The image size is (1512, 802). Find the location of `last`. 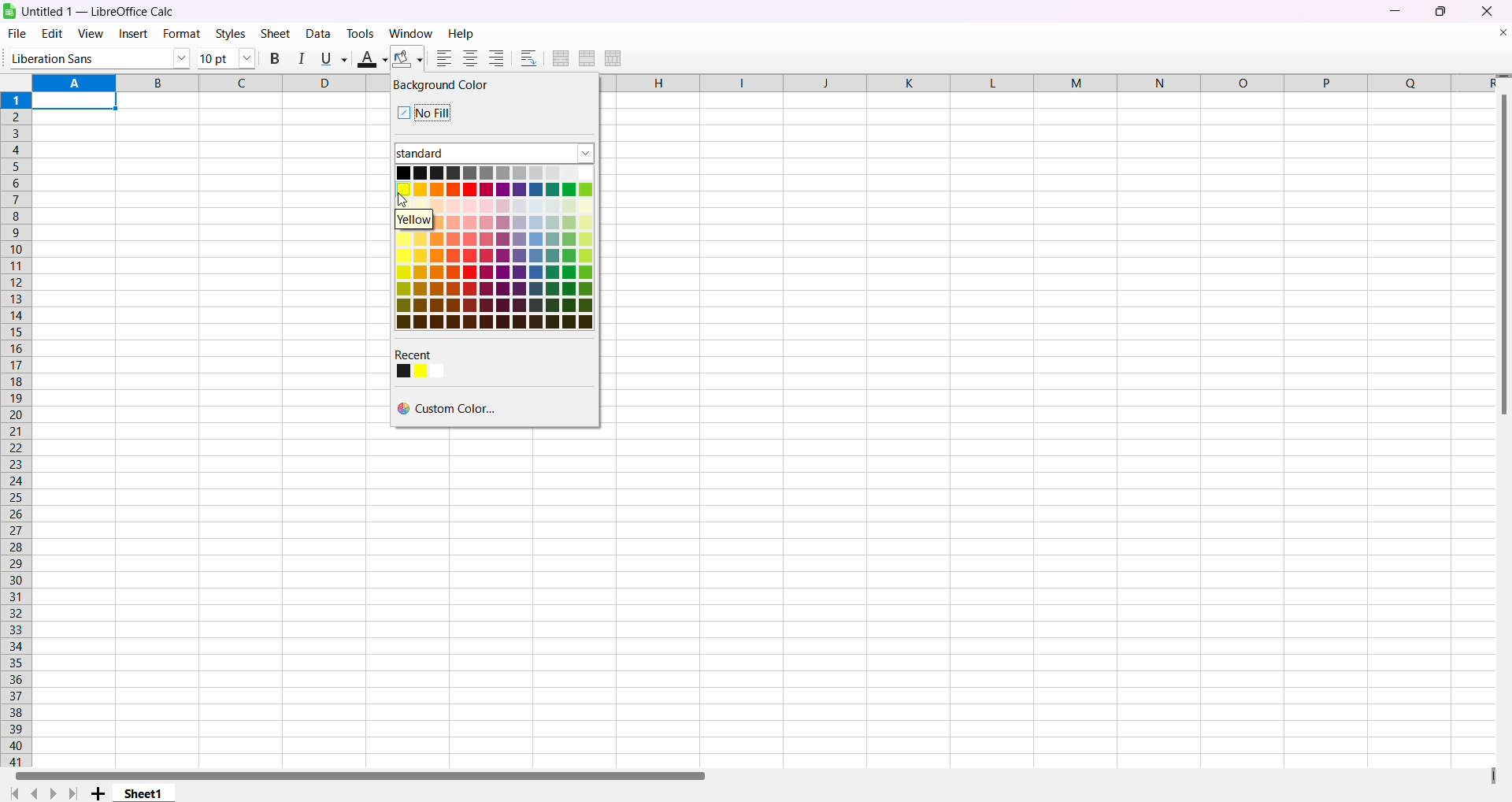

last is located at coordinates (77, 791).